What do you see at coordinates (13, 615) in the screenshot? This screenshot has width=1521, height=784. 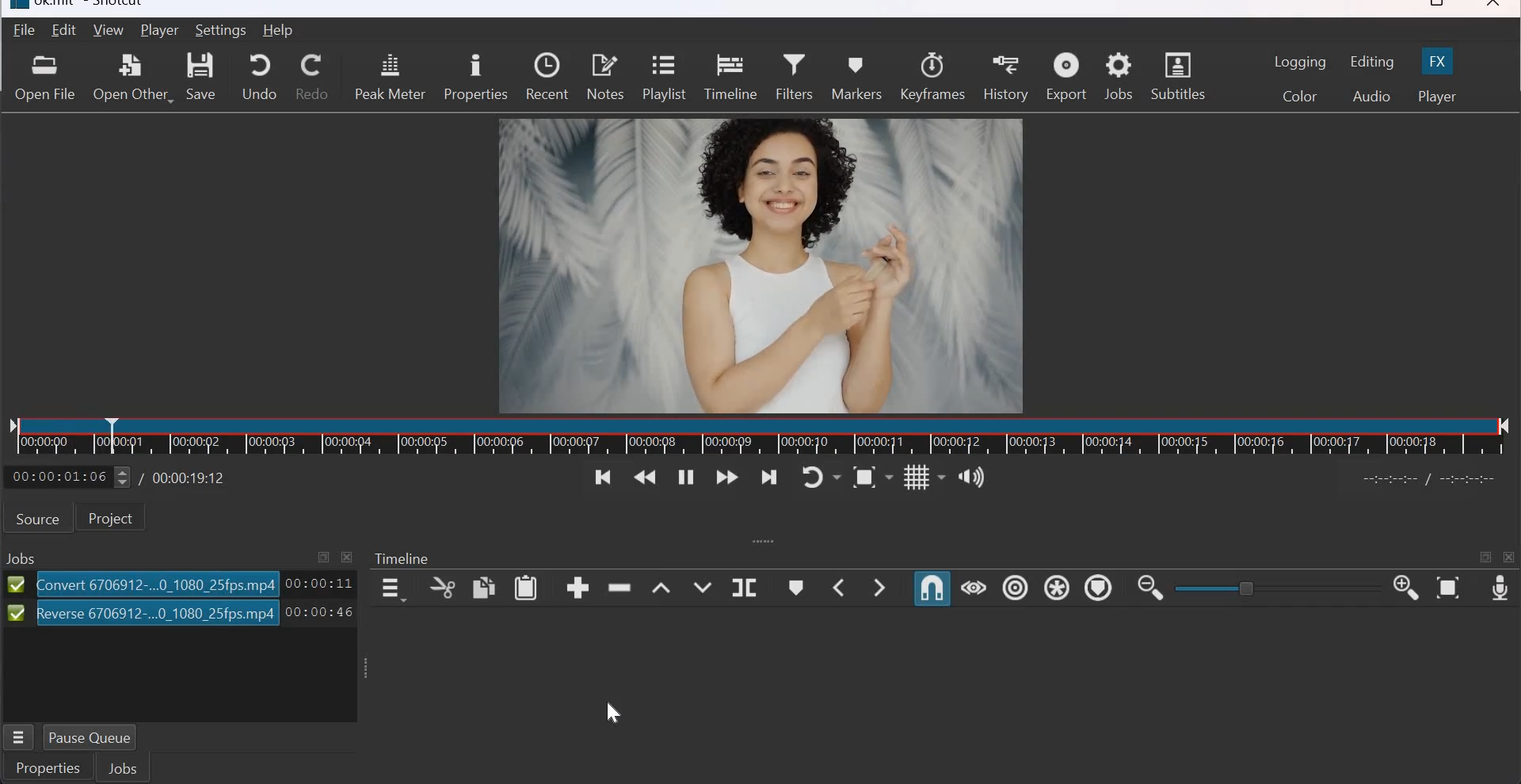 I see `checkbox` at bounding box center [13, 615].